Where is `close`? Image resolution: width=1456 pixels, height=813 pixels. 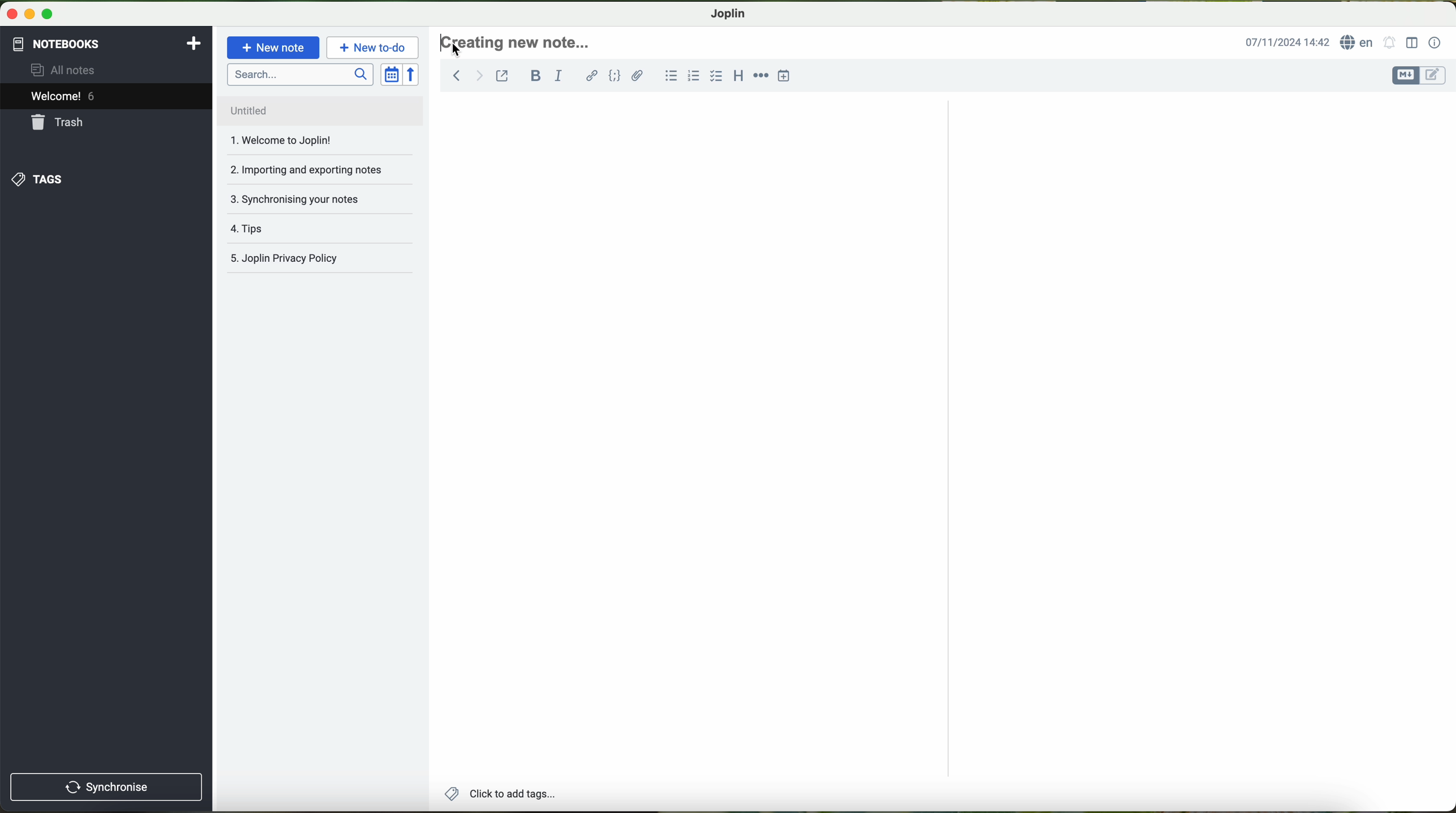
close is located at coordinates (9, 16).